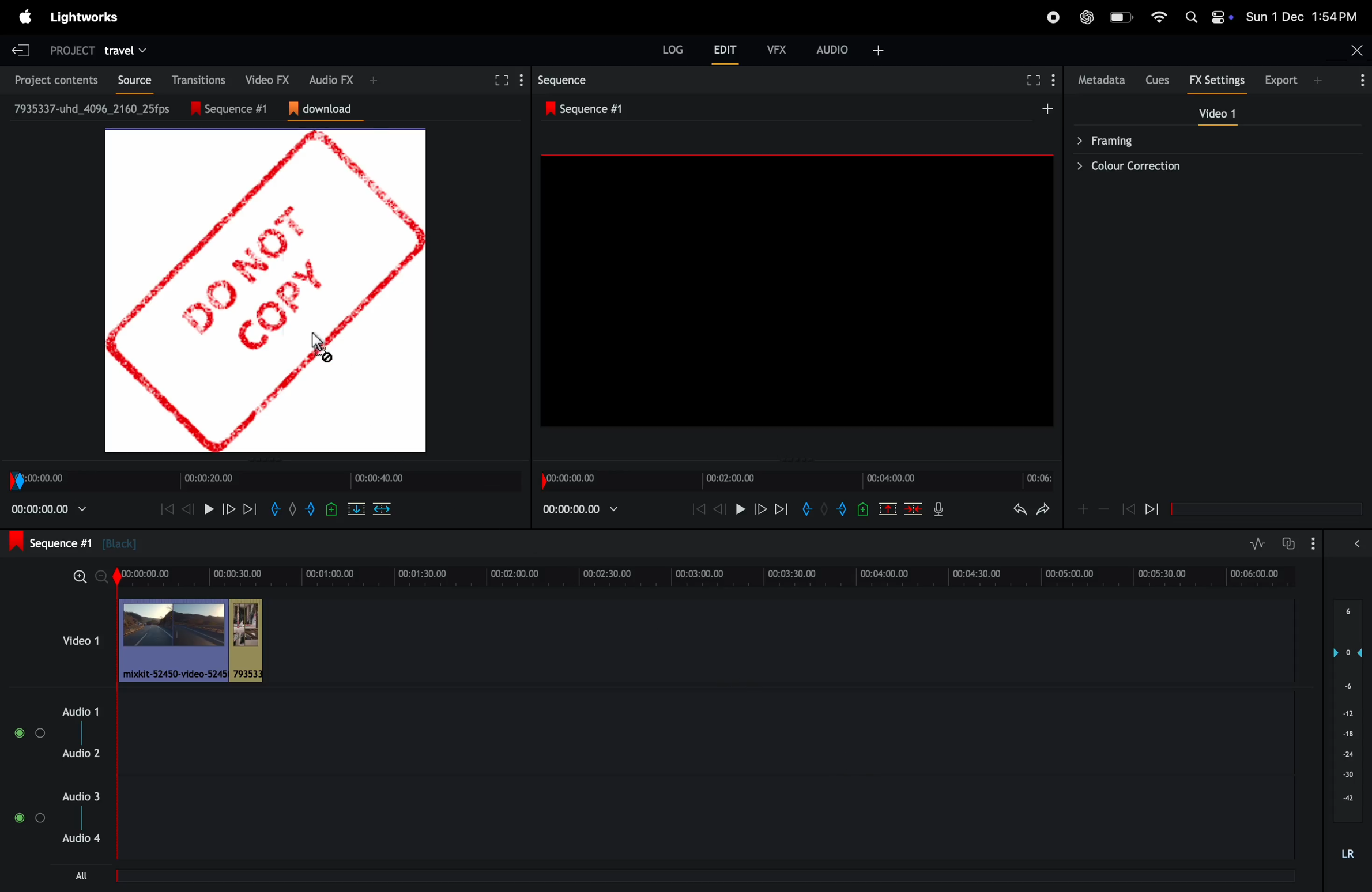  What do you see at coordinates (249, 509) in the screenshot?
I see `next frame` at bounding box center [249, 509].